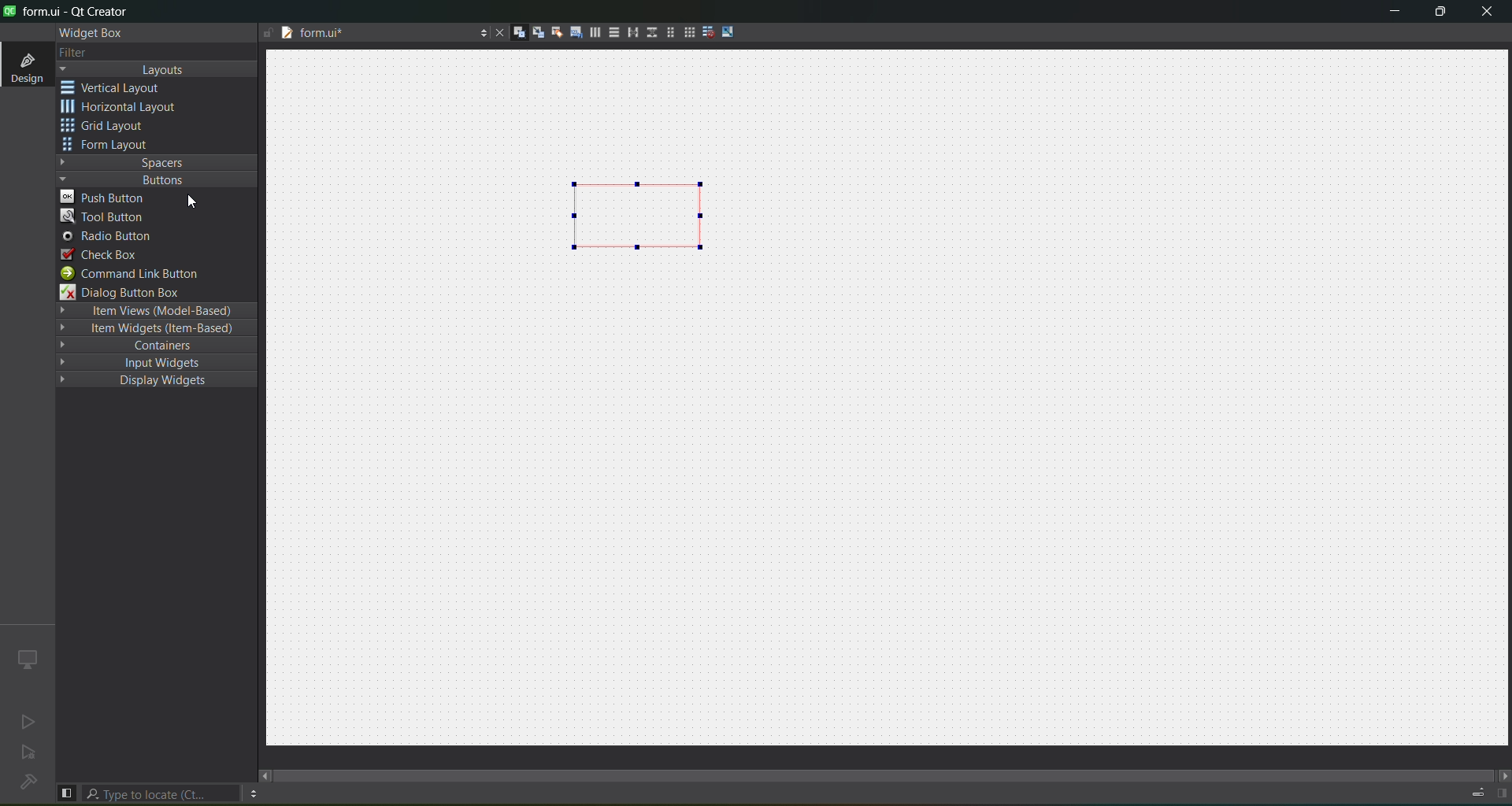 This screenshot has width=1512, height=806. What do you see at coordinates (360, 35) in the screenshot?
I see `tab name` at bounding box center [360, 35].